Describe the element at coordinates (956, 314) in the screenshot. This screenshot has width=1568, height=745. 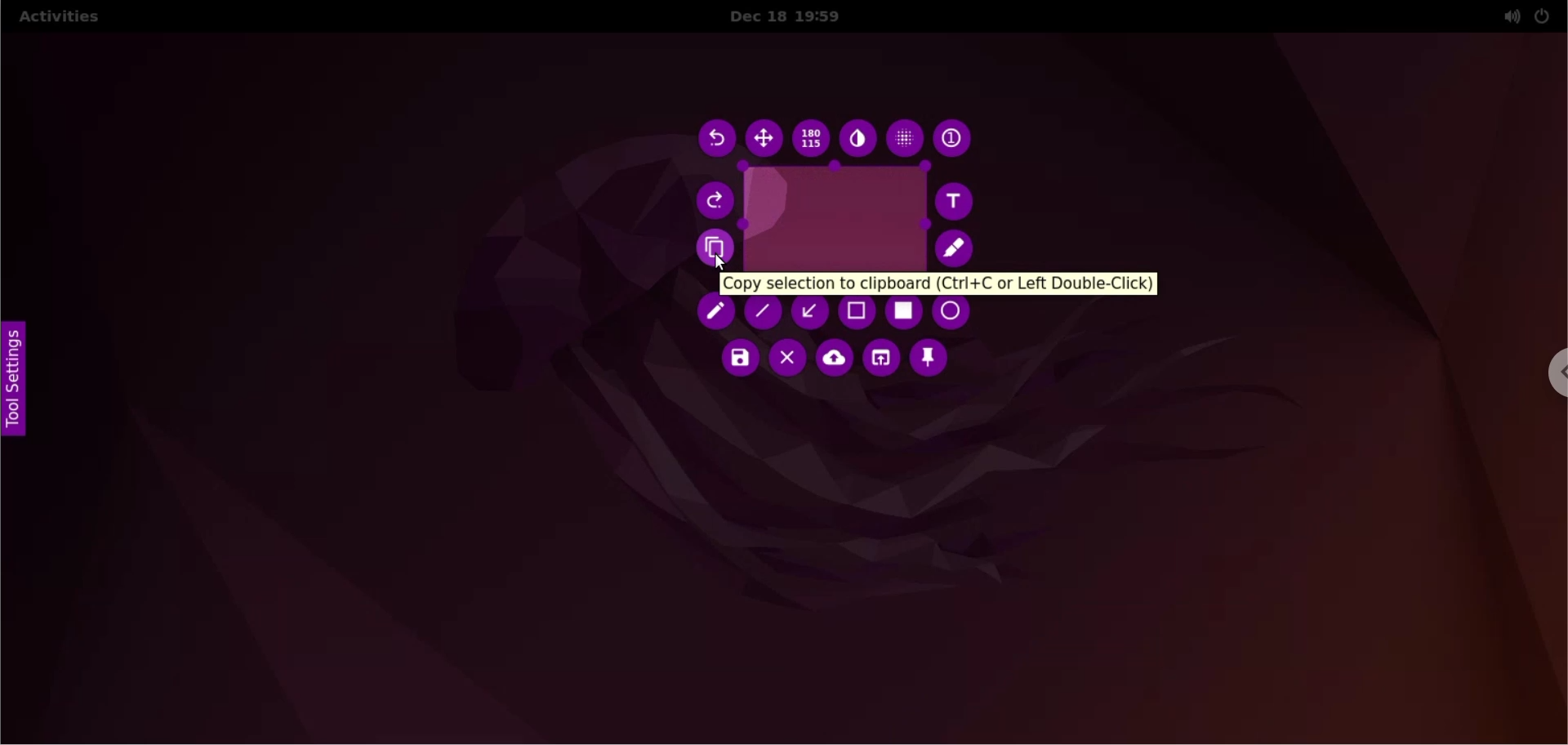
I see `ellipse as a paint tool` at that location.